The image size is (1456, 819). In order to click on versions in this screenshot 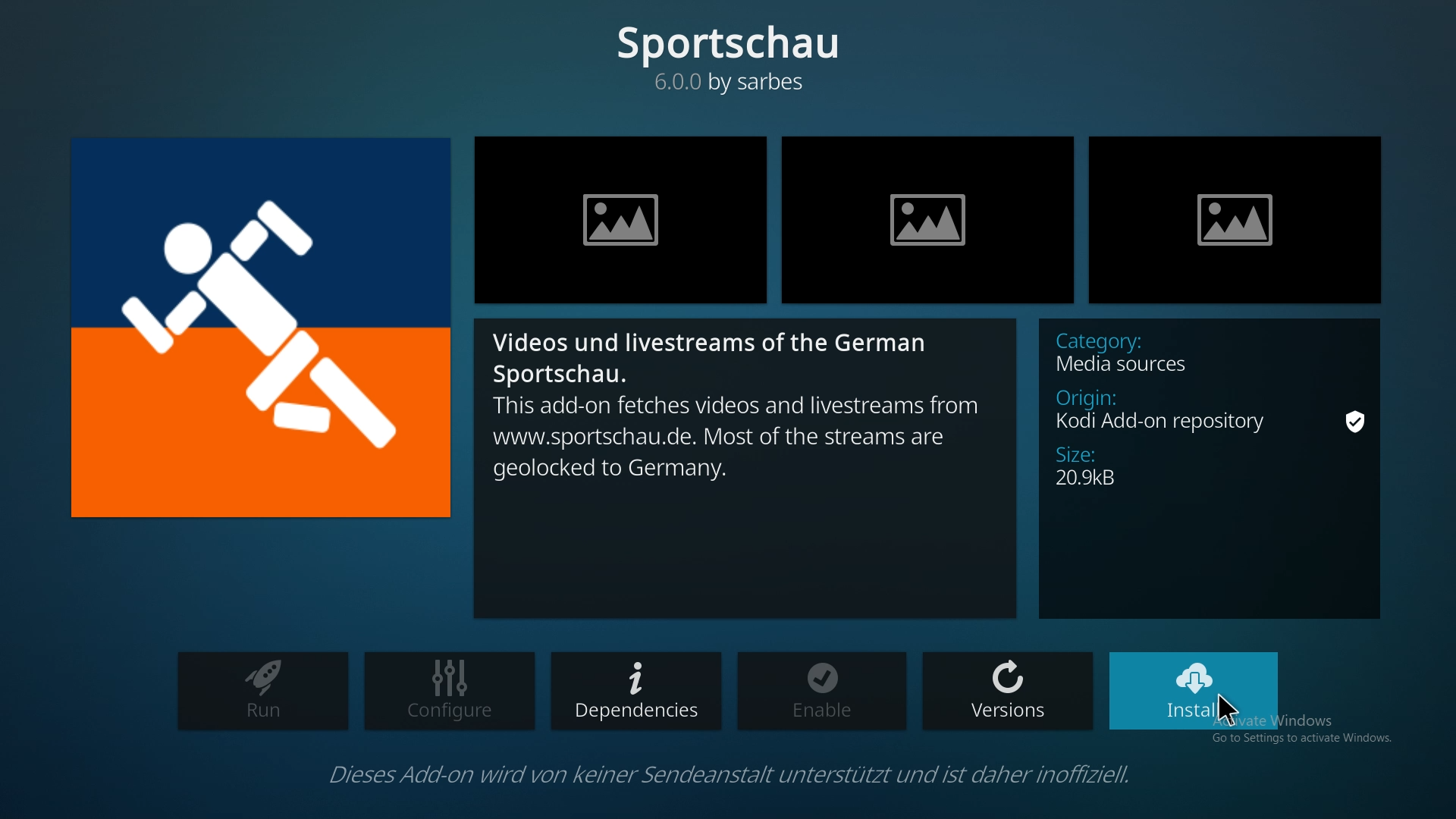, I will do `click(1007, 694)`.